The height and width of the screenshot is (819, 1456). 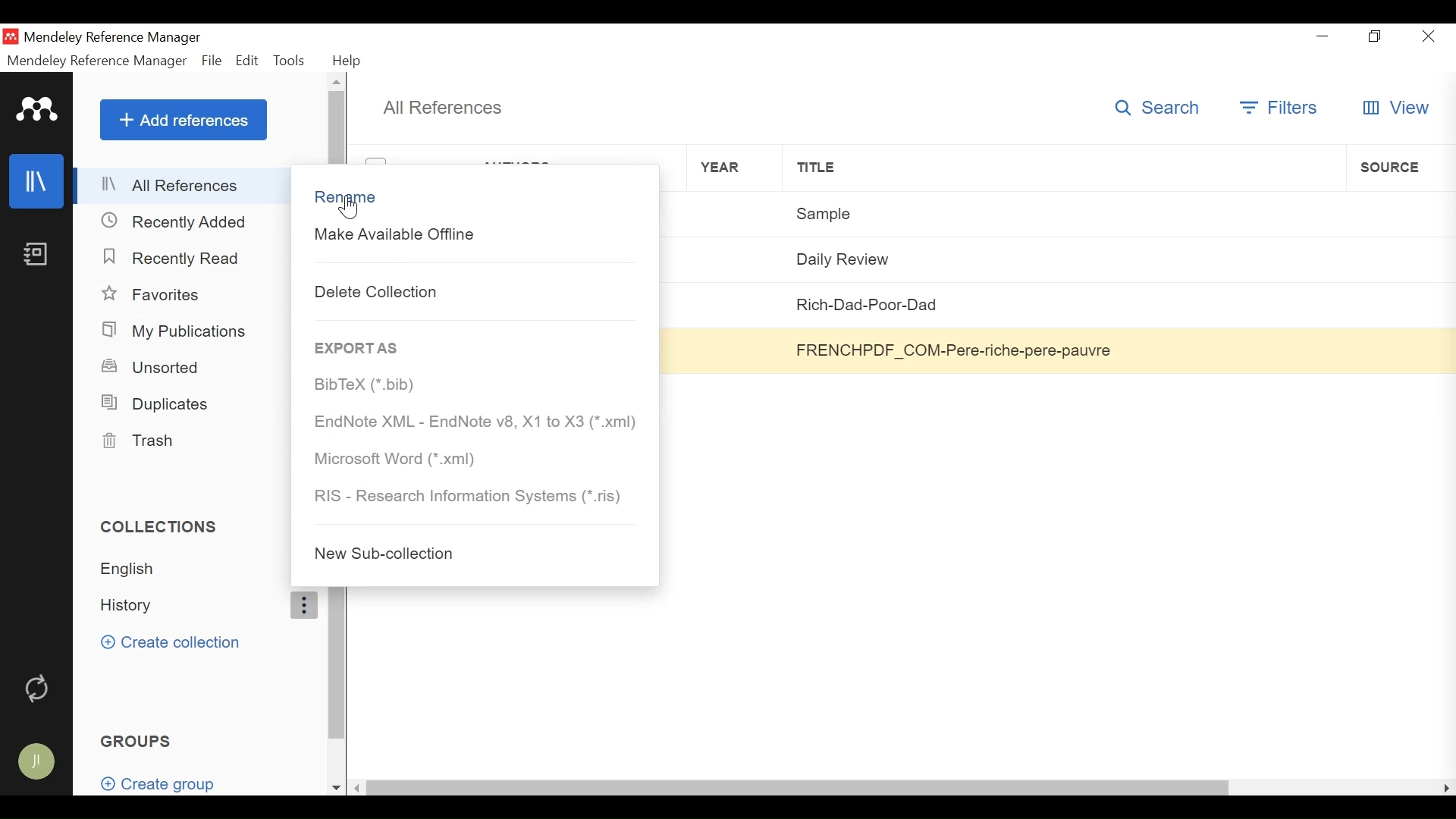 What do you see at coordinates (472, 290) in the screenshot?
I see `Delete Collection` at bounding box center [472, 290].